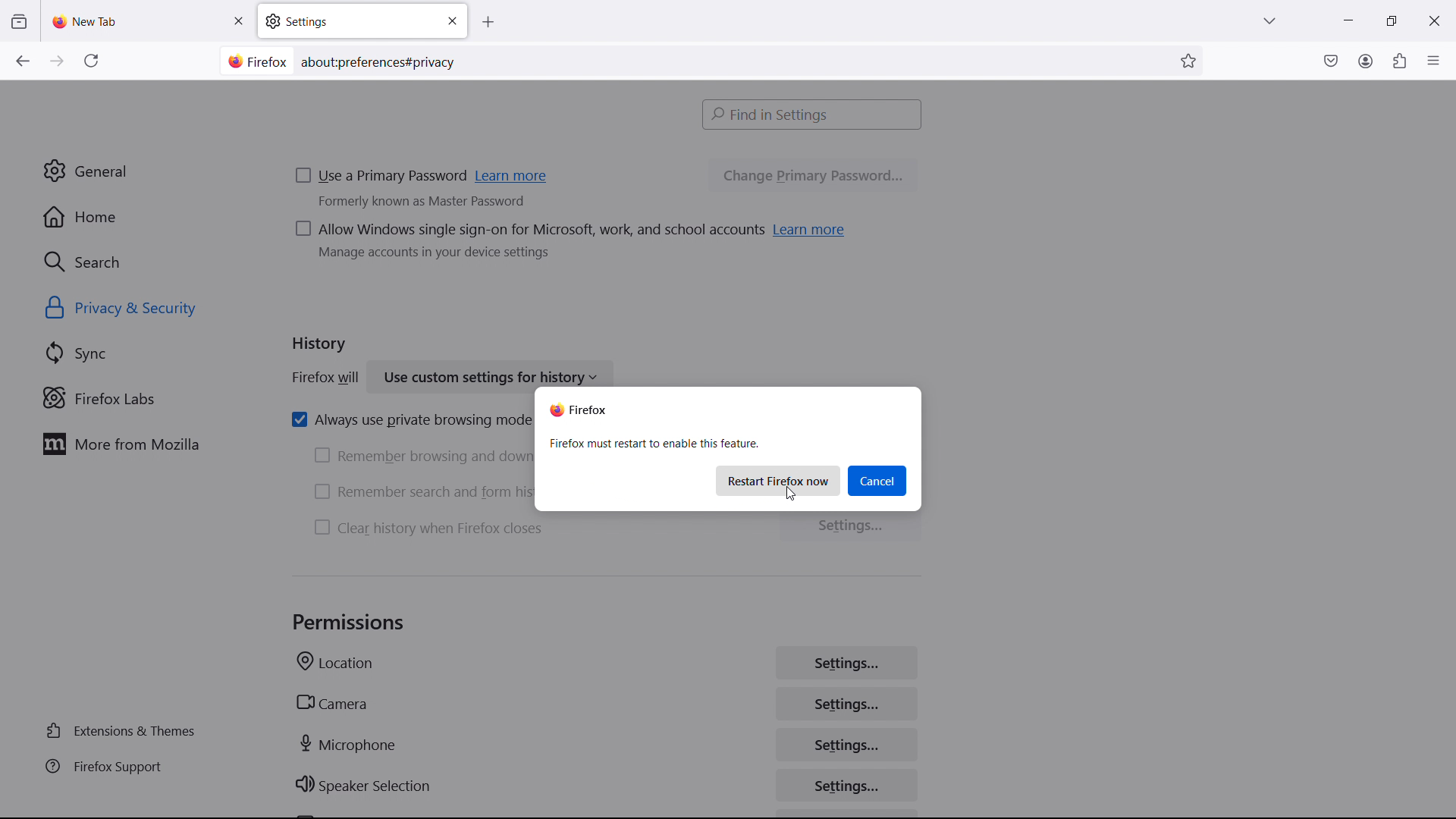 The image size is (1456, 819). I want to click on microphone permission settings, so click(846, 743).